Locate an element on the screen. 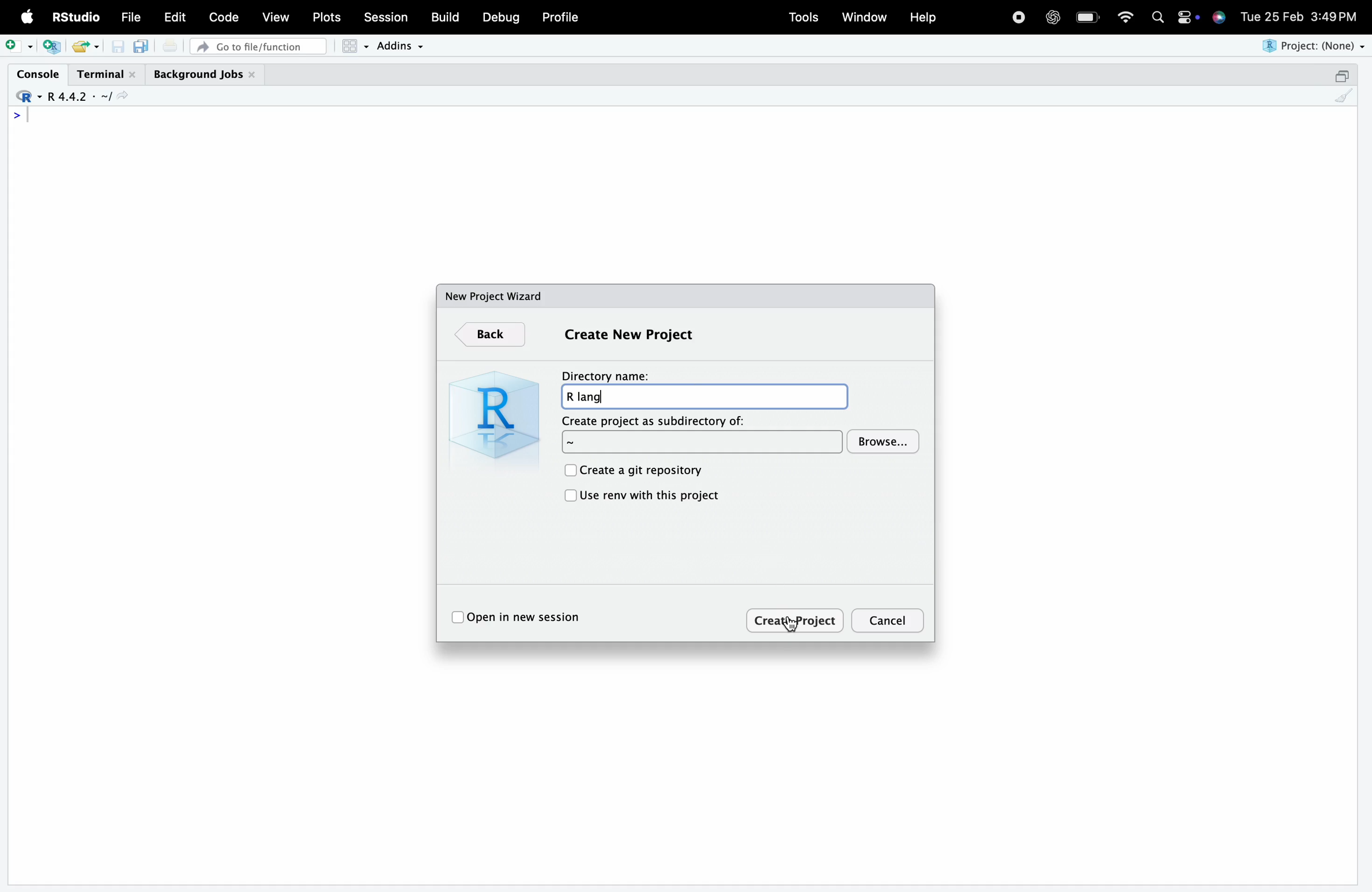 The image size is (1372, 892). cursor is located at coordinates (789, 625).